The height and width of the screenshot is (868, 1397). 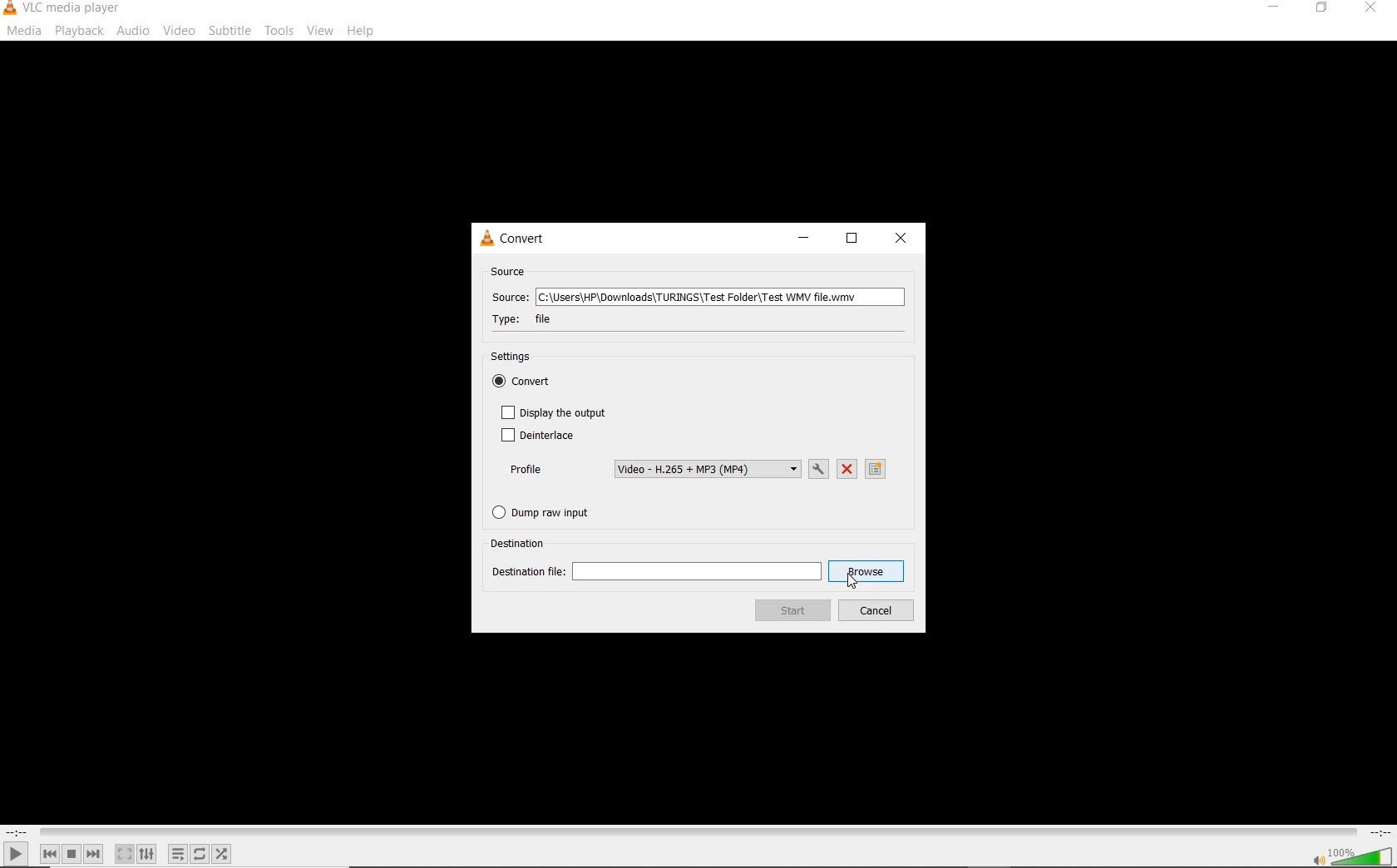 I want to click on play, so click(x=16, y=853).